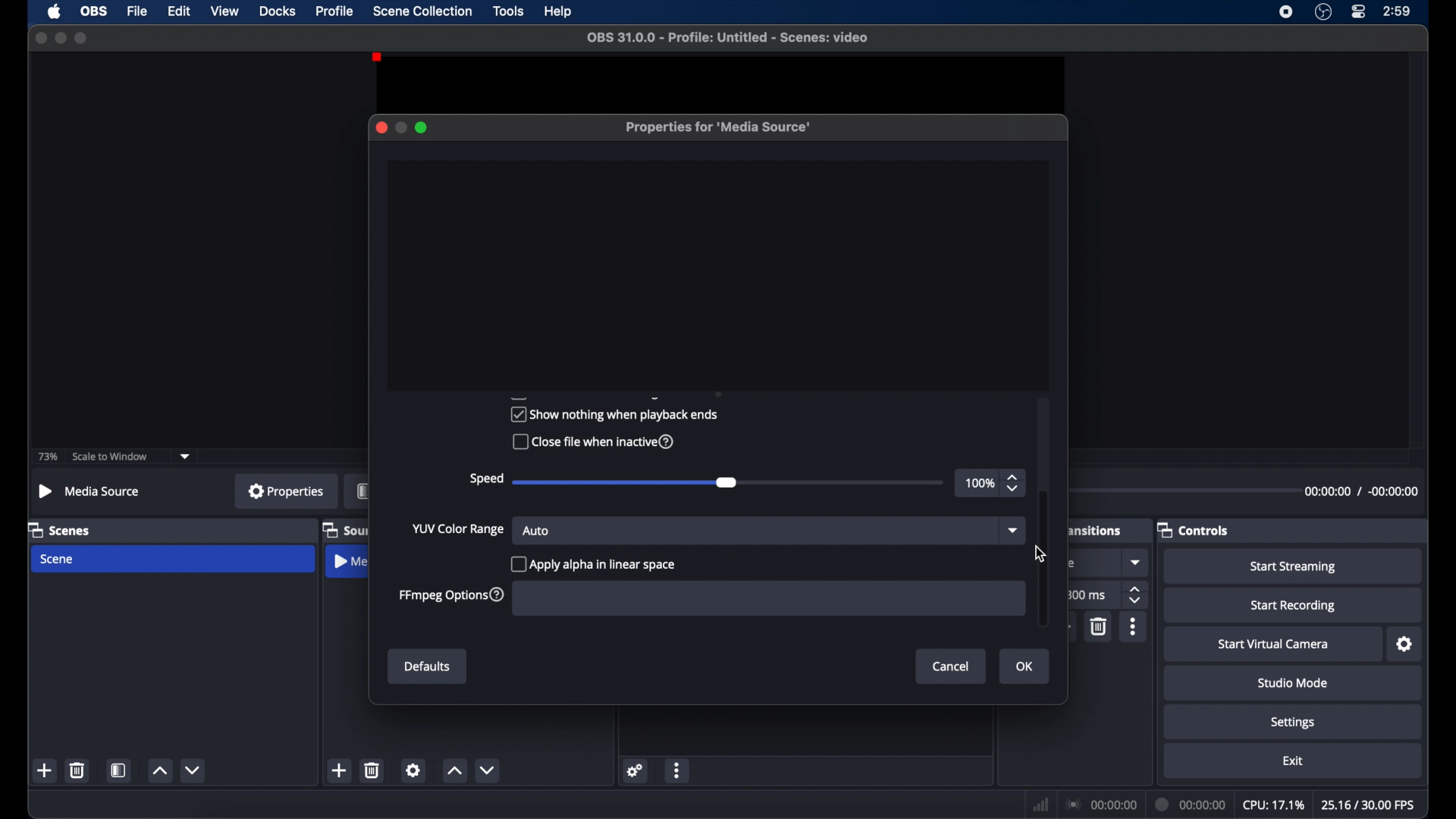 The width and height of the screenshot is (1456, 819). Describe the element at coordinates (1100, 627) in the screenshot. I see `delete` at that location.